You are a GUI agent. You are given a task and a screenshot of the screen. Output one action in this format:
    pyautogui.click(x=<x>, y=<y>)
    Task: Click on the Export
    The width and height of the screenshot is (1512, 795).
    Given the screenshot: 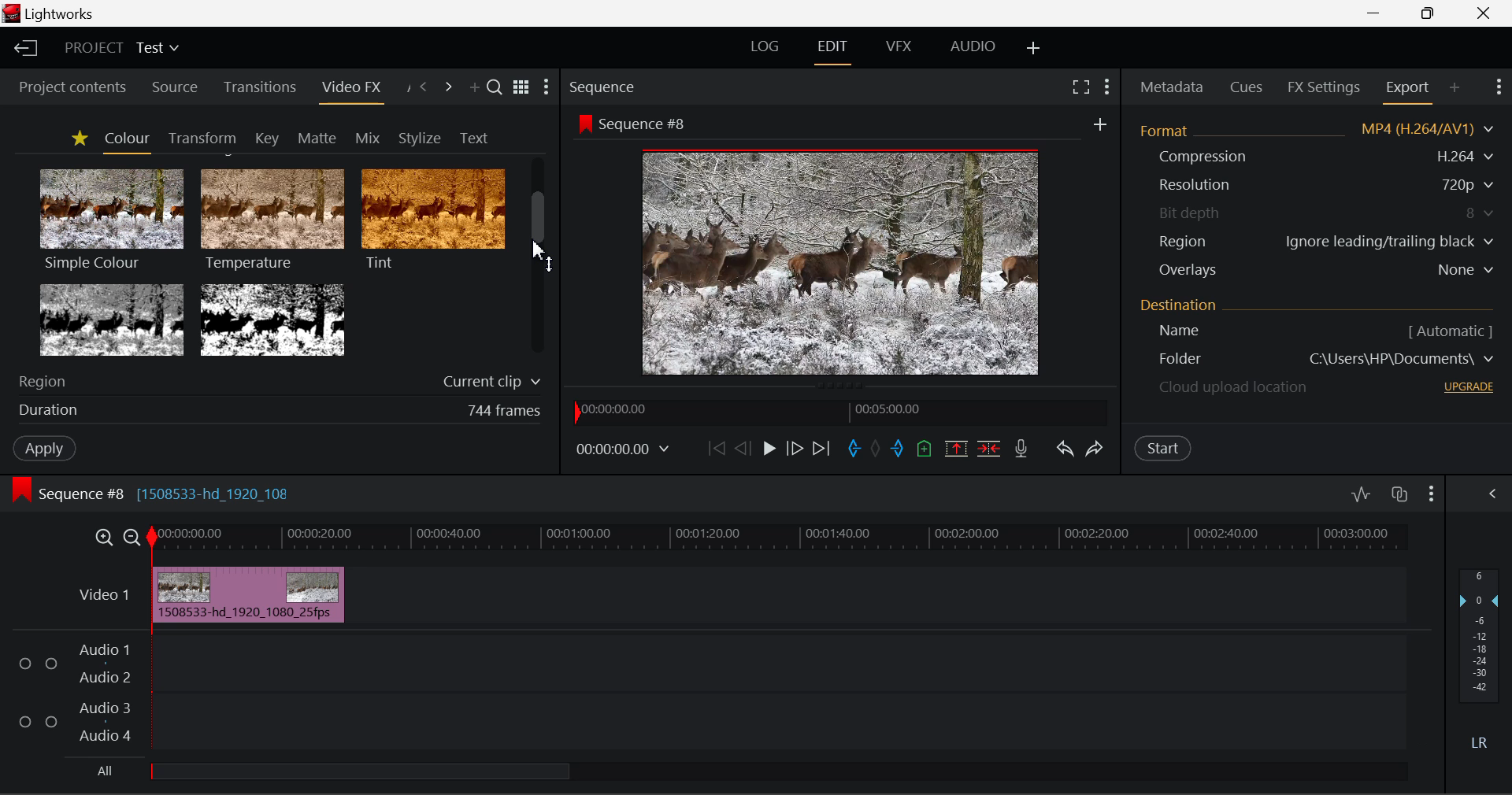 What is the action you would take?
    pyautogui.click(x=1409, y=92)
    